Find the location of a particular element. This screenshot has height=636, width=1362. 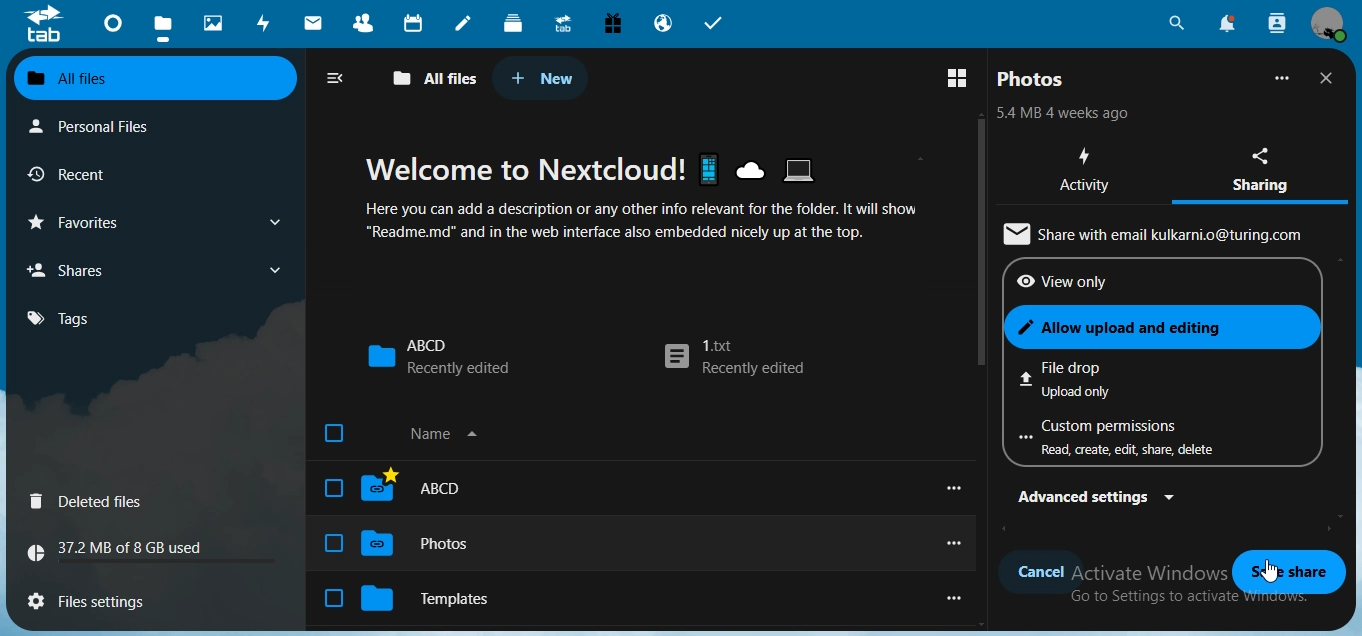

all files is located at coordinates (152, 79).